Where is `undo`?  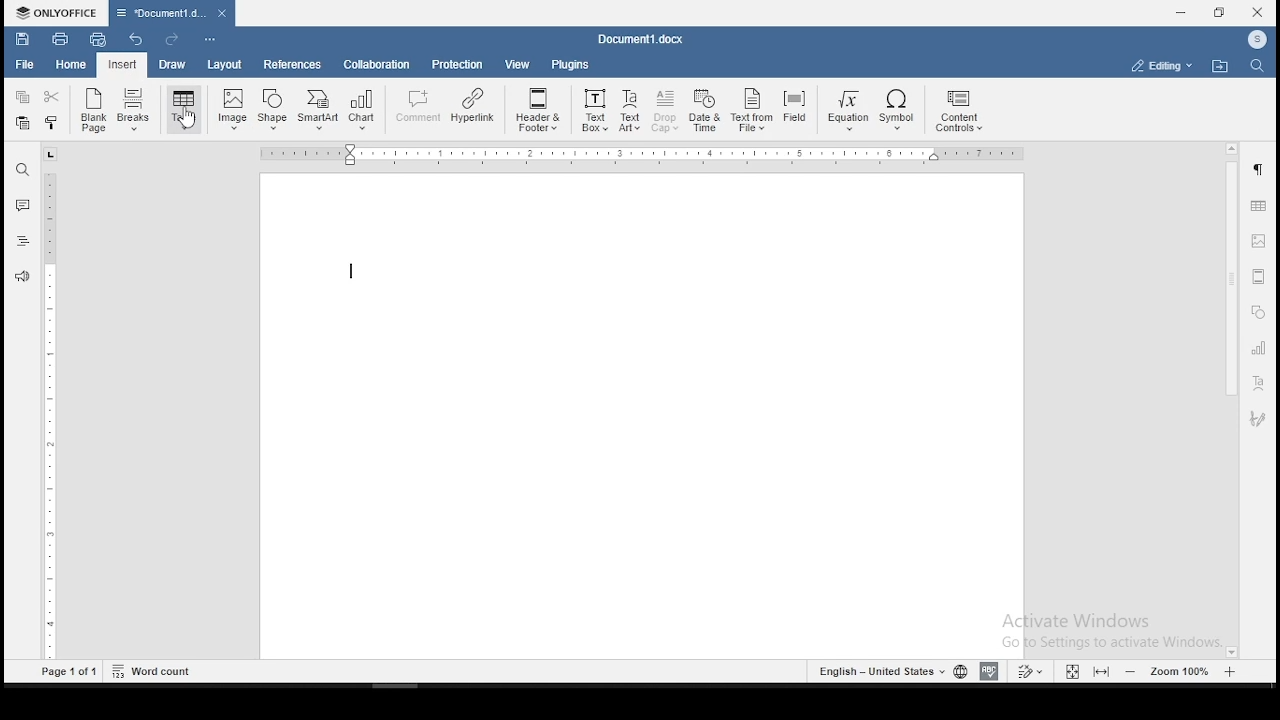 undo is located at coordinates (139, 41).